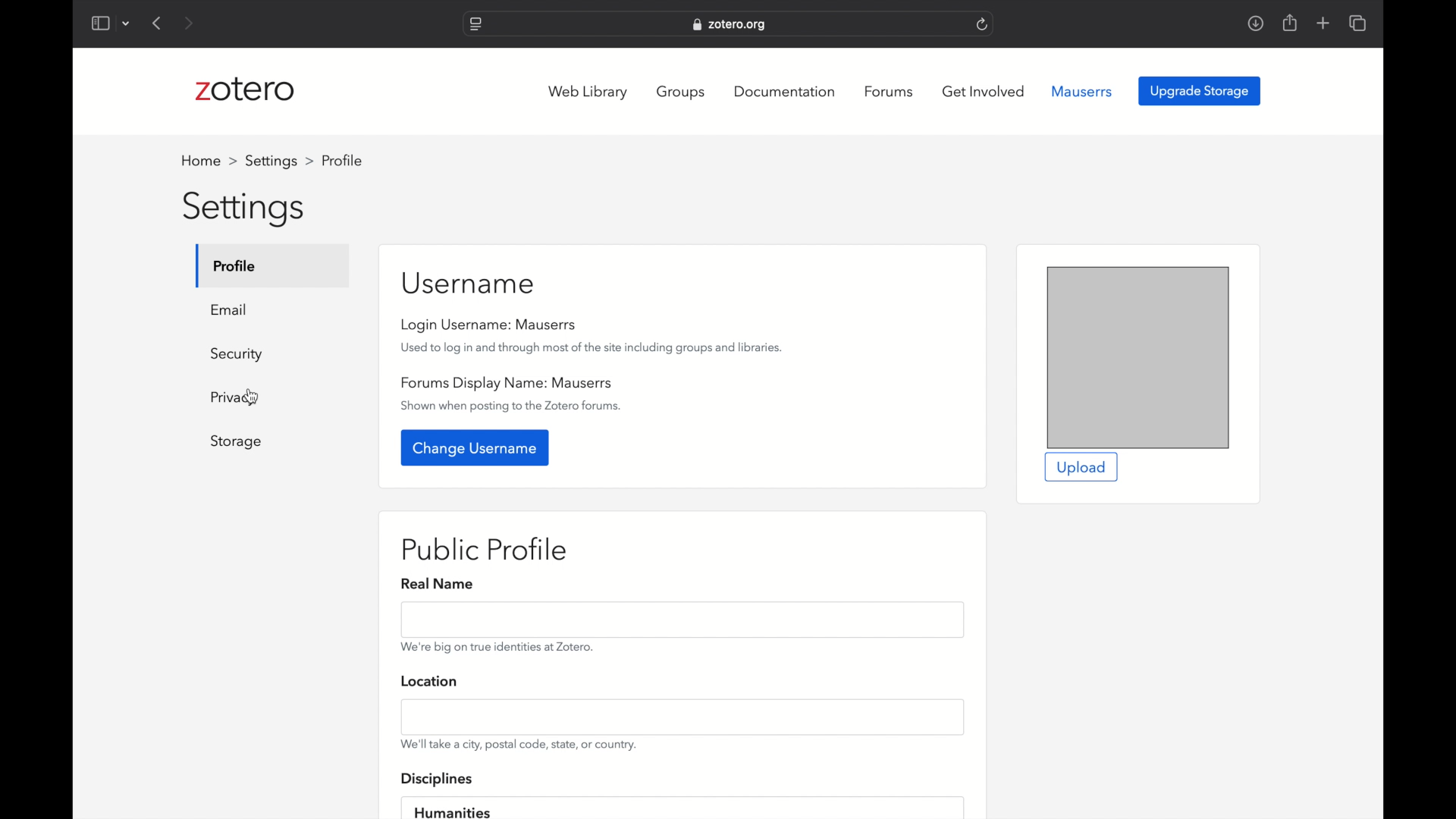 Image resolution: width=1456 pixels, height=819 pixels. Describe the element at coordinates (889, 92) in the screenshot. I see `forums` at that location.